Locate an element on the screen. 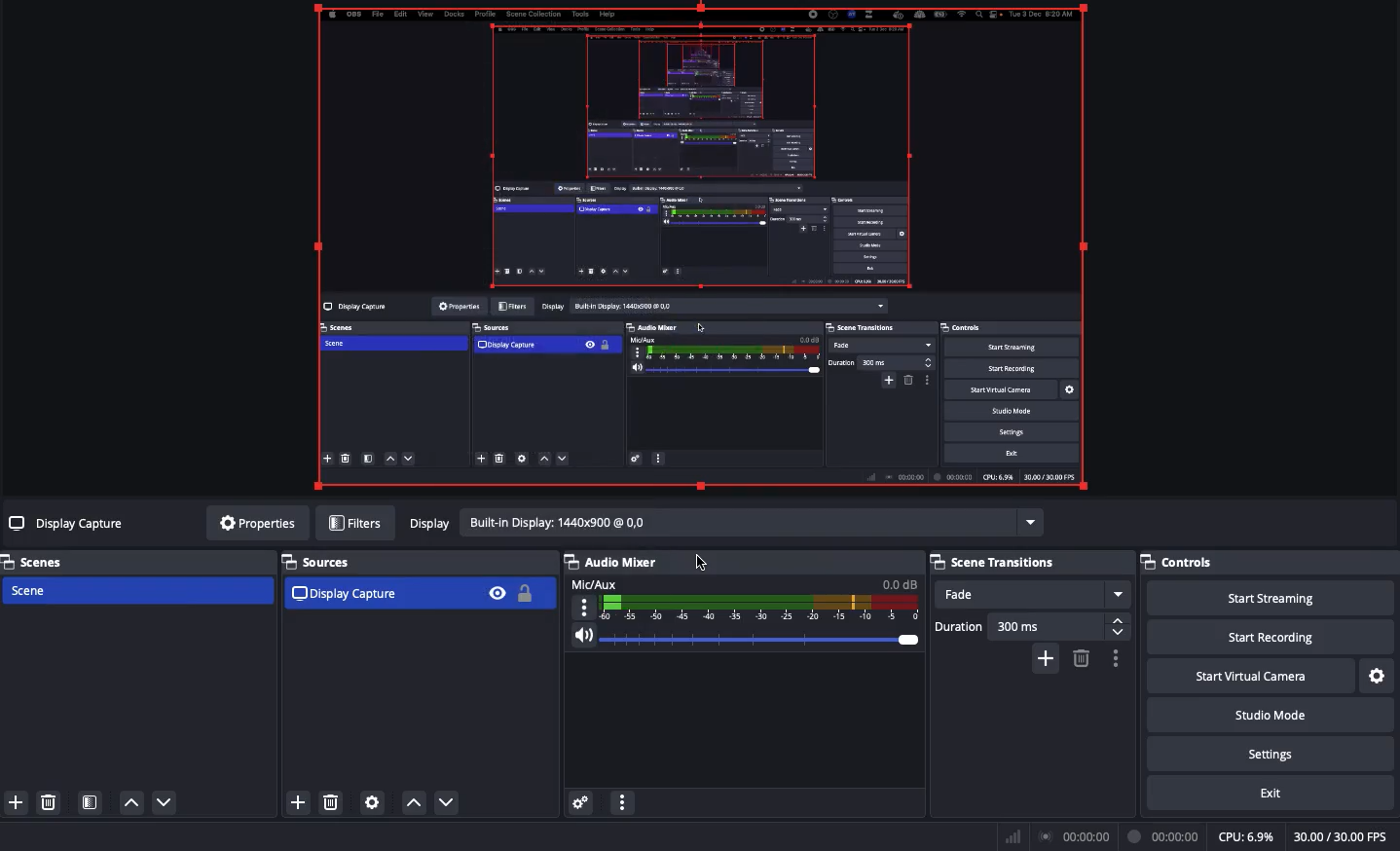 The height and width of the screenshot is (851, 1400). Duration is located at coordinates (1030, 628).